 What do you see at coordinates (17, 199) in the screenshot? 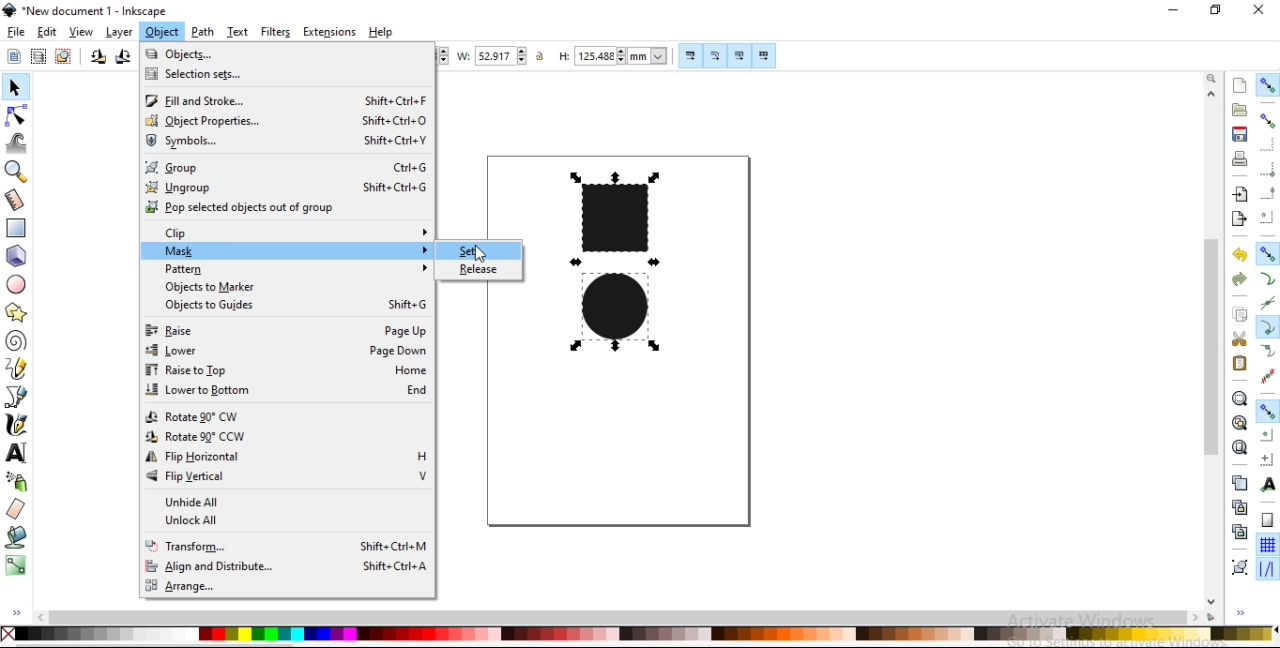
I see `measurement tool ` at bounding box center [17, 199].